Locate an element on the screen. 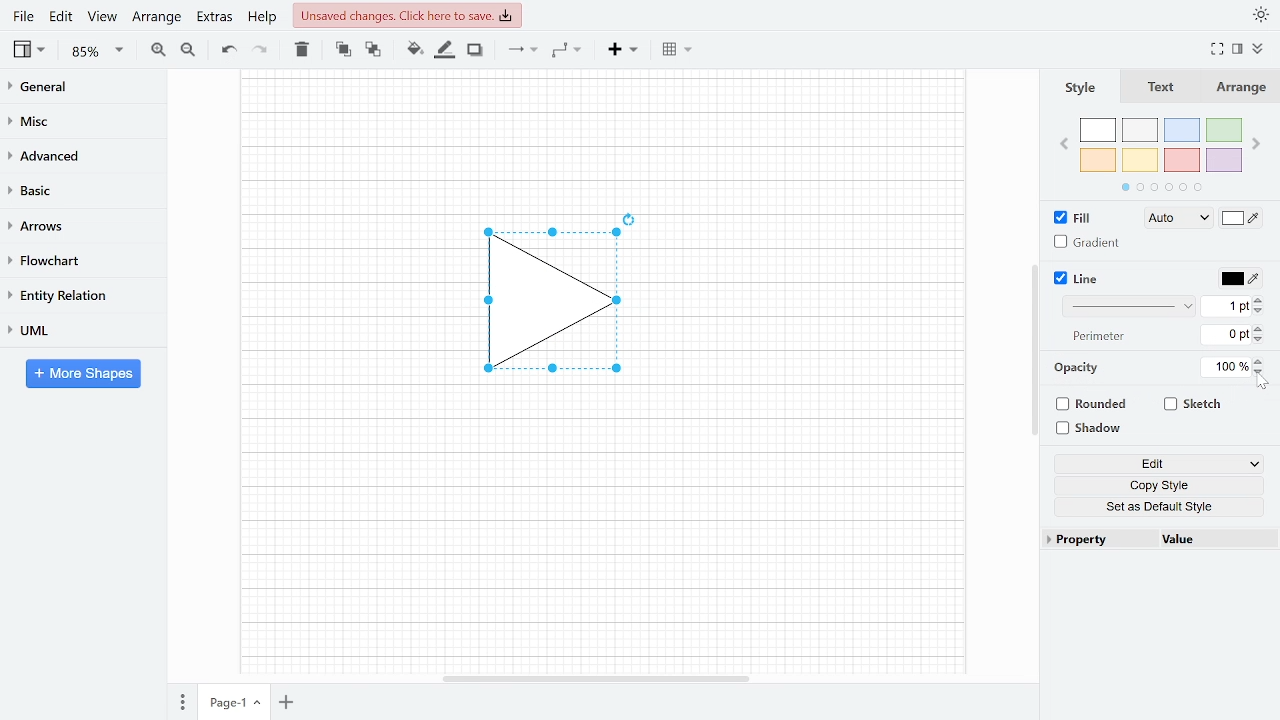 The width and height of the screenshot is (1280, 720). Undo is located at coordinates (228, 50).